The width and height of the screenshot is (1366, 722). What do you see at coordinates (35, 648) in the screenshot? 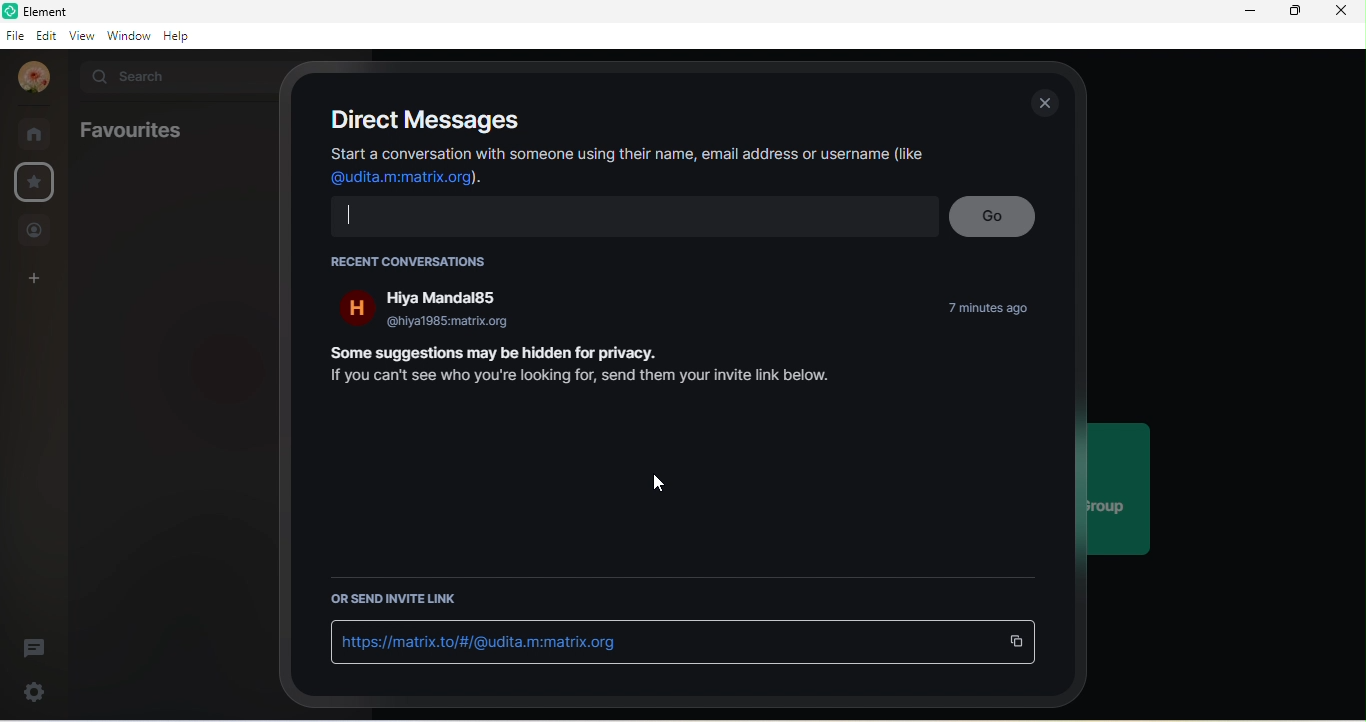
I see `thread` at bounding box center [35, 648].